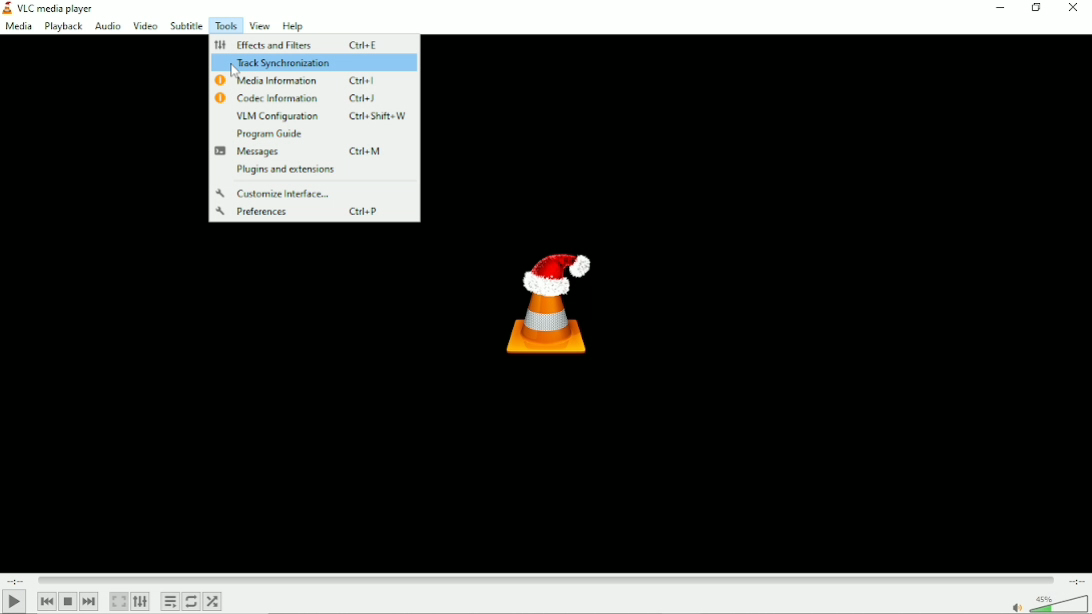 The width and height of the screenshot is (1092, 614). What do you see at coordinates (186, 26) in the screenshot?
I see `Subtitle` at bounding box center [186, 26].